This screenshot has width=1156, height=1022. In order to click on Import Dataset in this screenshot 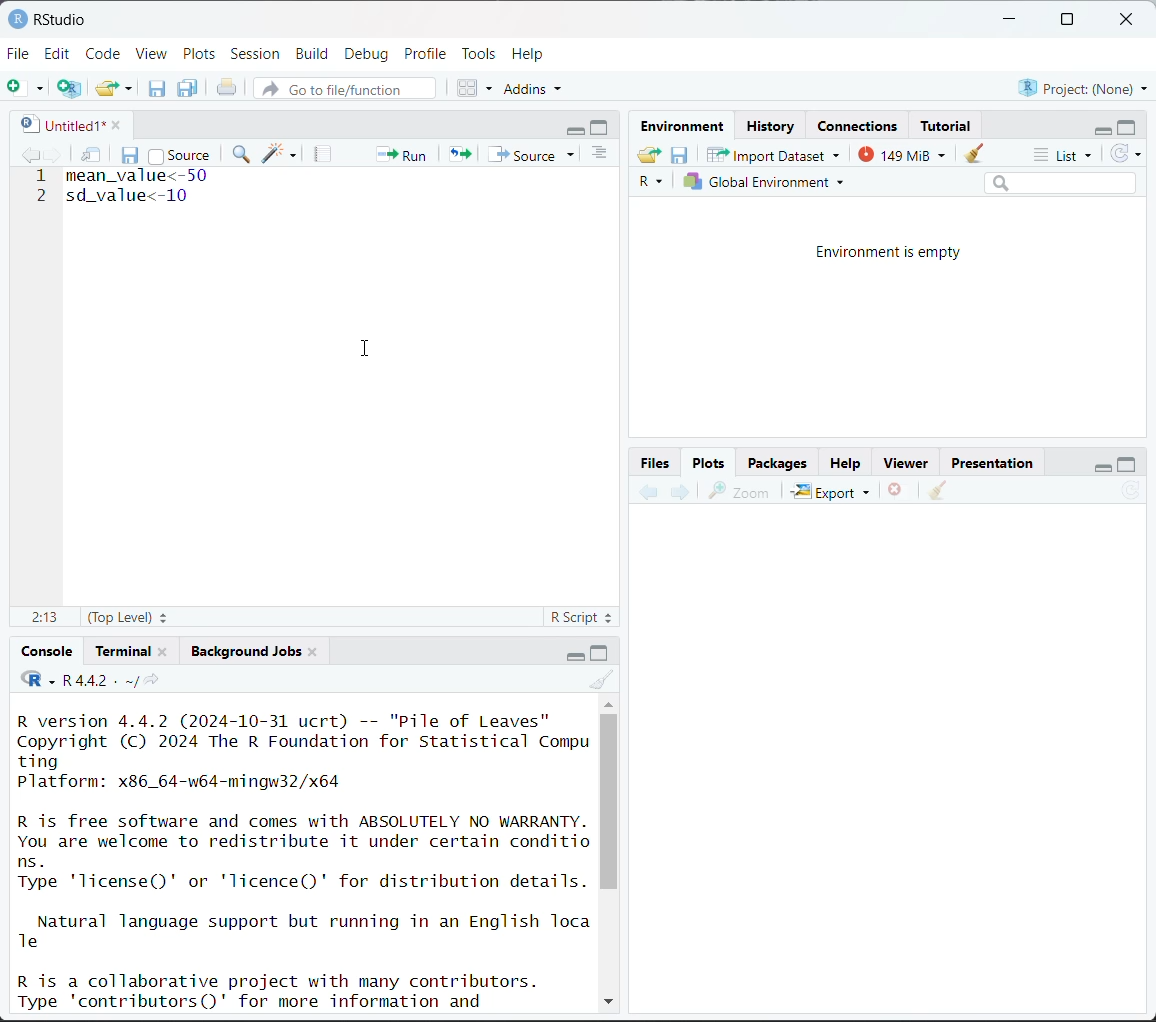, I will do `click(774, 154)`.